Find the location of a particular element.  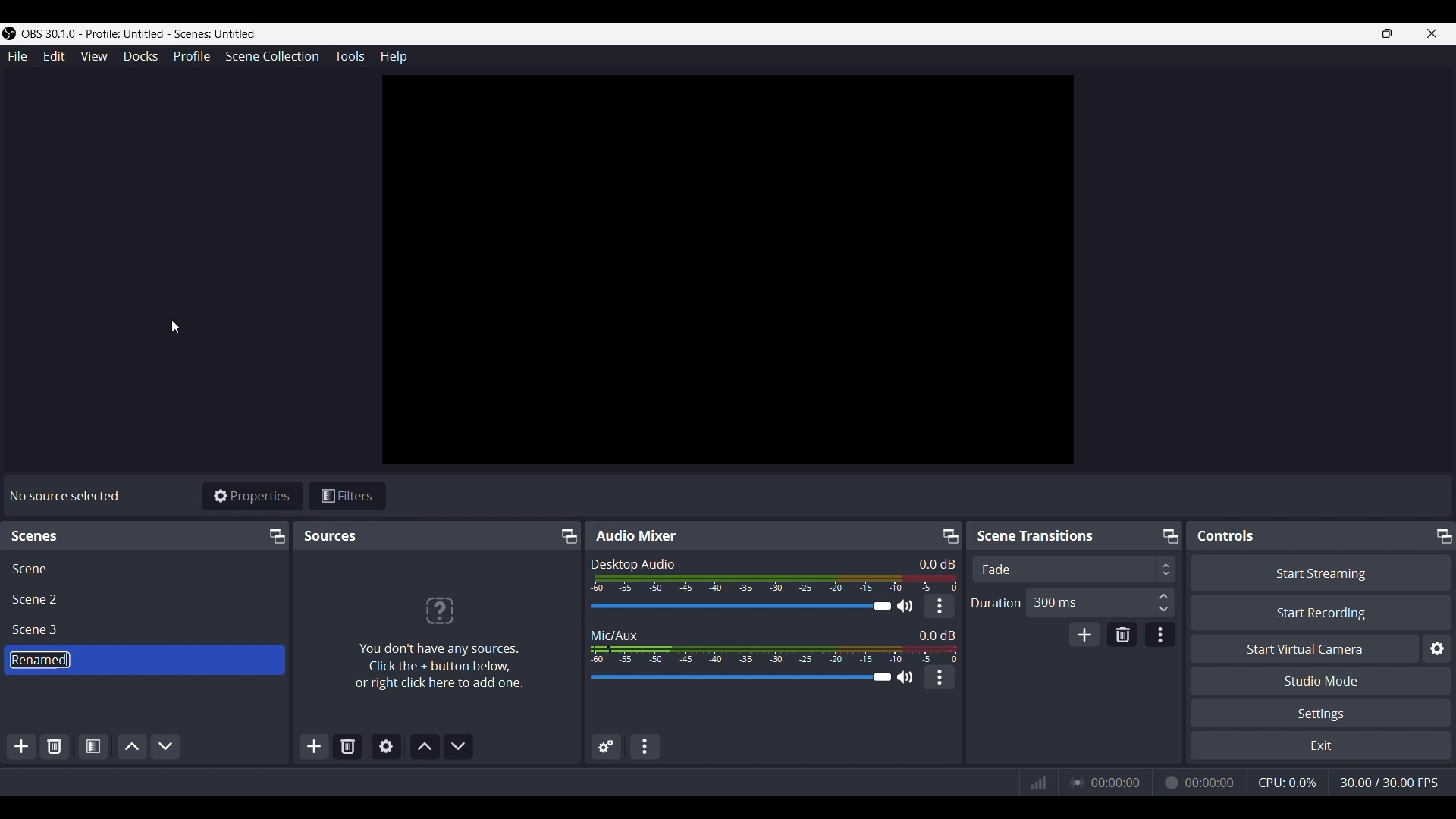

Recording Timer is located at coordinates (1211, 782).